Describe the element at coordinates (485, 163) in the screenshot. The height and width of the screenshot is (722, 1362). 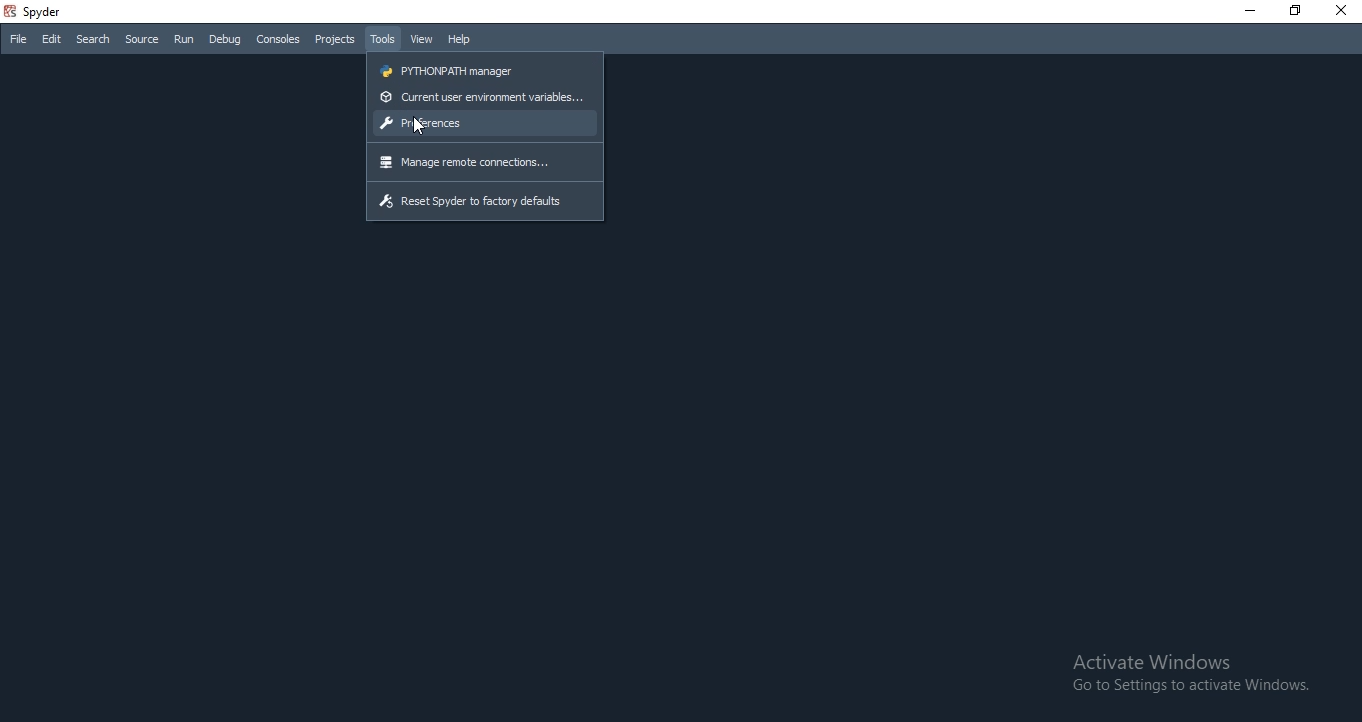
I see `manage remote connections` at that location.